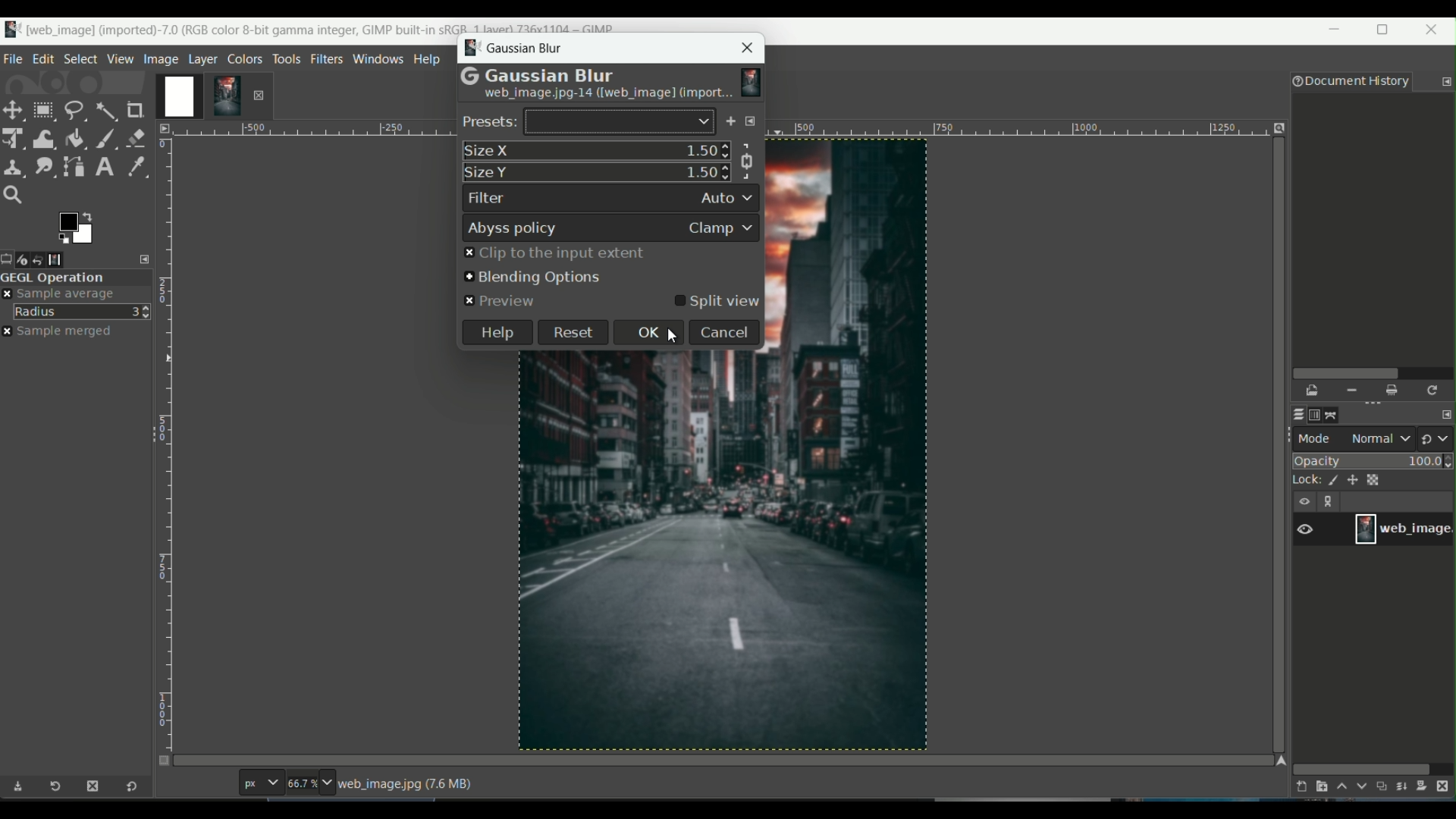  What do you see at coordinates (246, 58) in the screenshot?
I see `colors tab` at bounding box center [246, 58].